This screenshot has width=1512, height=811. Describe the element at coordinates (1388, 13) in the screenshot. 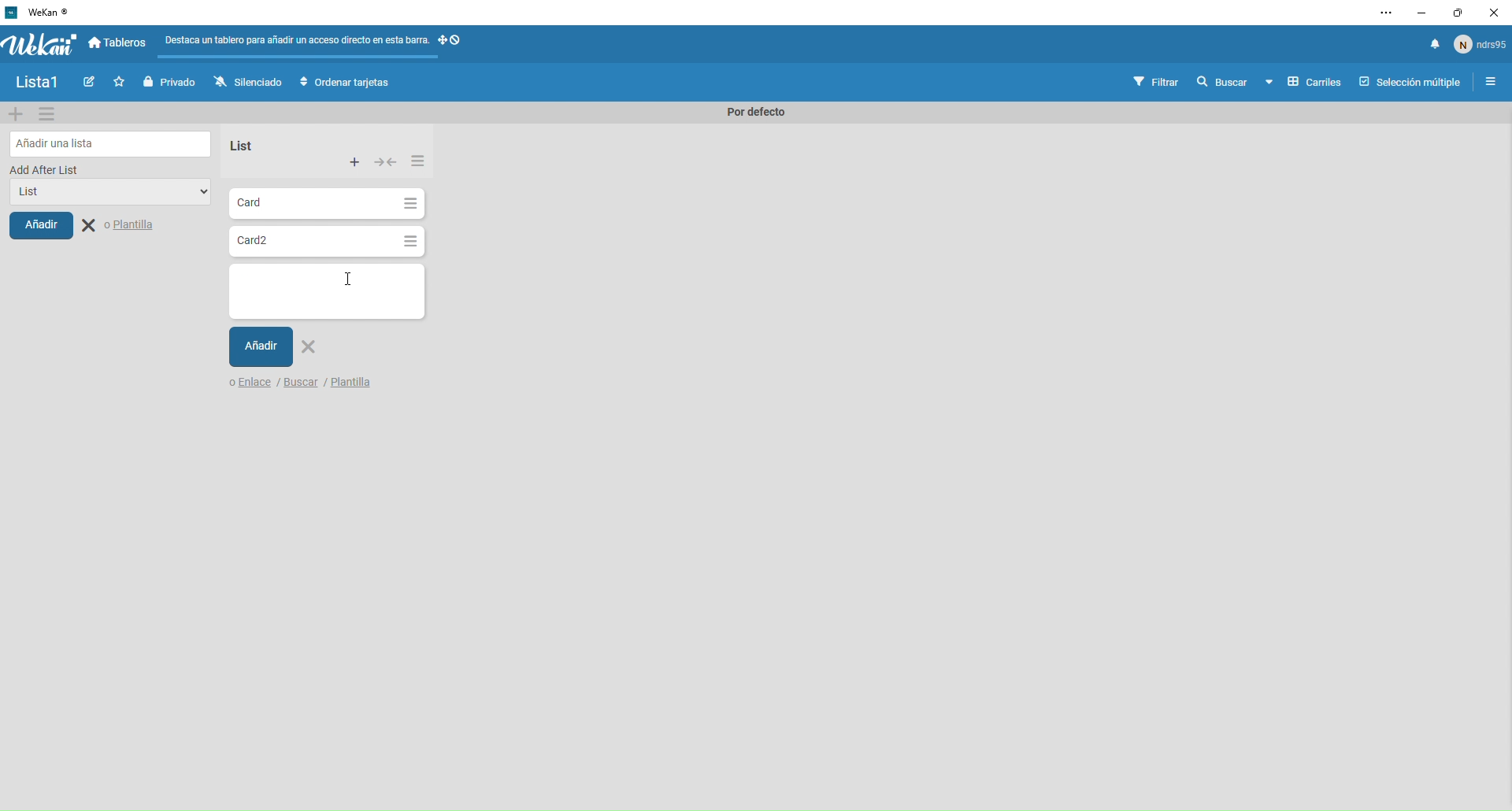

I see `more options` at that location.